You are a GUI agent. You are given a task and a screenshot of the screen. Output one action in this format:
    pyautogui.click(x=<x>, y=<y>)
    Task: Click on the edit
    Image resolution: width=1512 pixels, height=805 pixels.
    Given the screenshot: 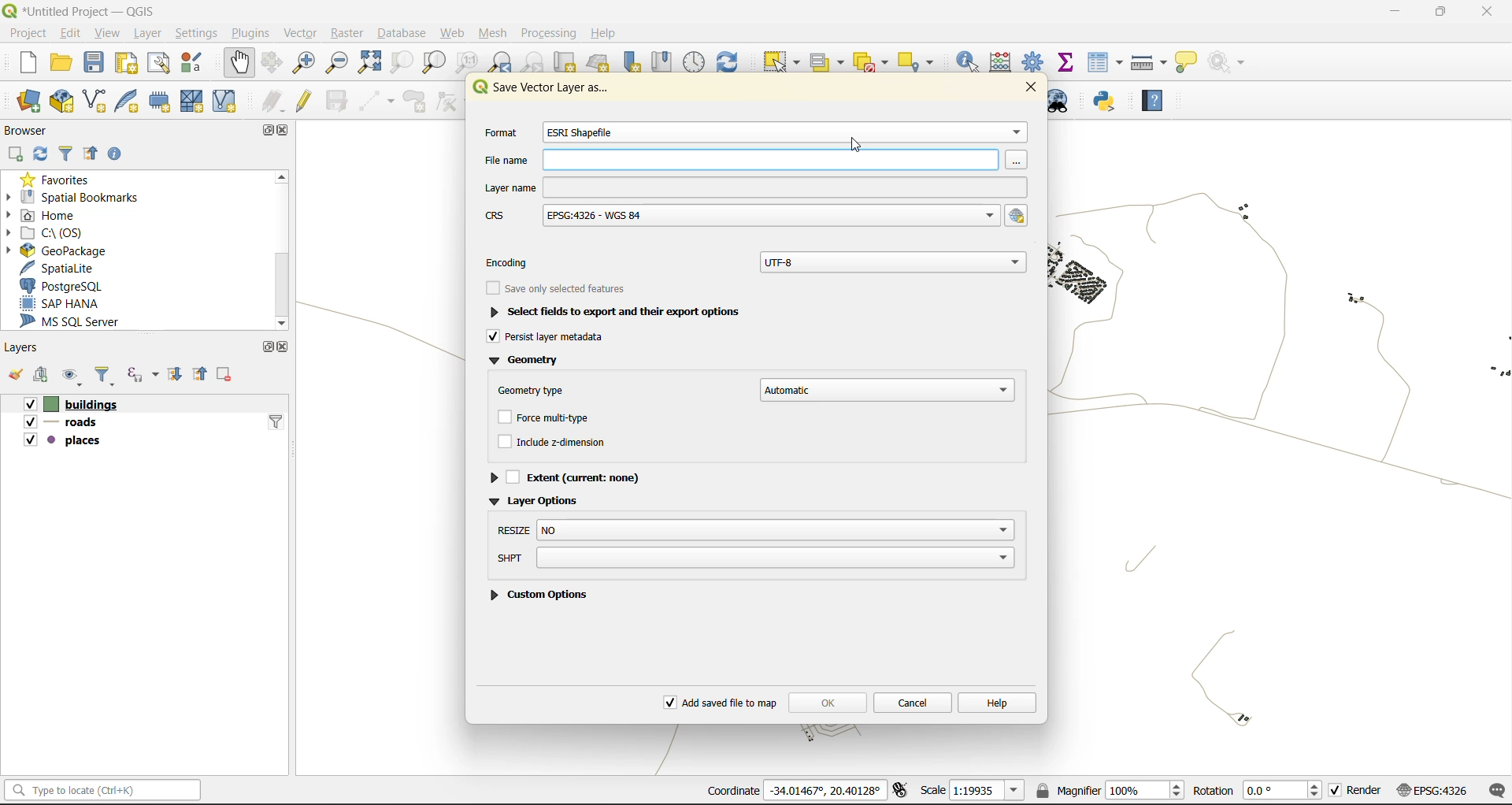 What is the action you would take?
    pyautogui.click(x=70, y=32)
    